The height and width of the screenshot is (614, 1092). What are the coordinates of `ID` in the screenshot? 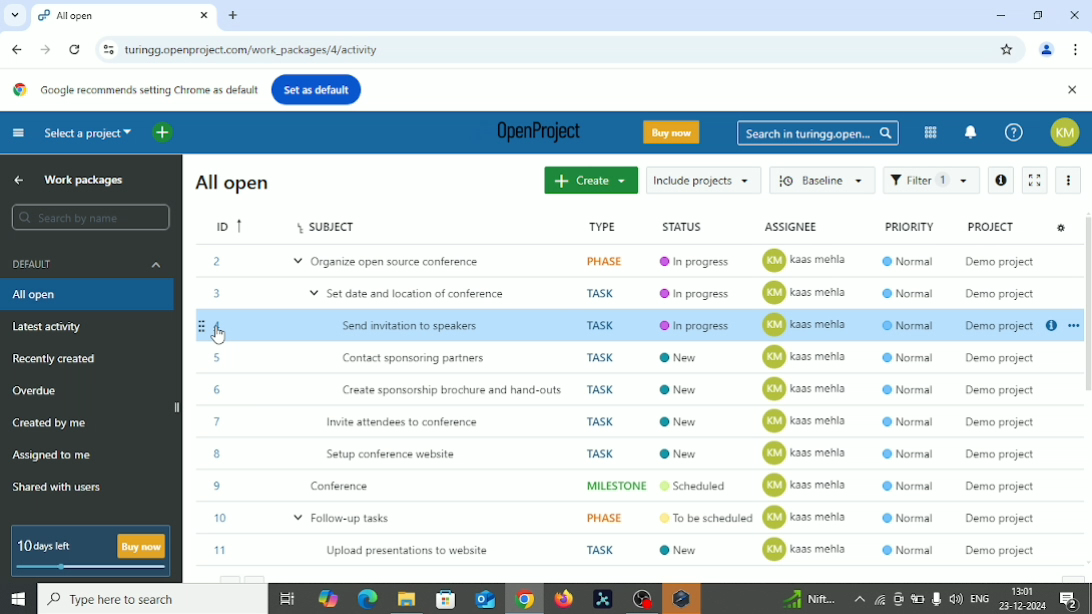 It's located at (220, 226).